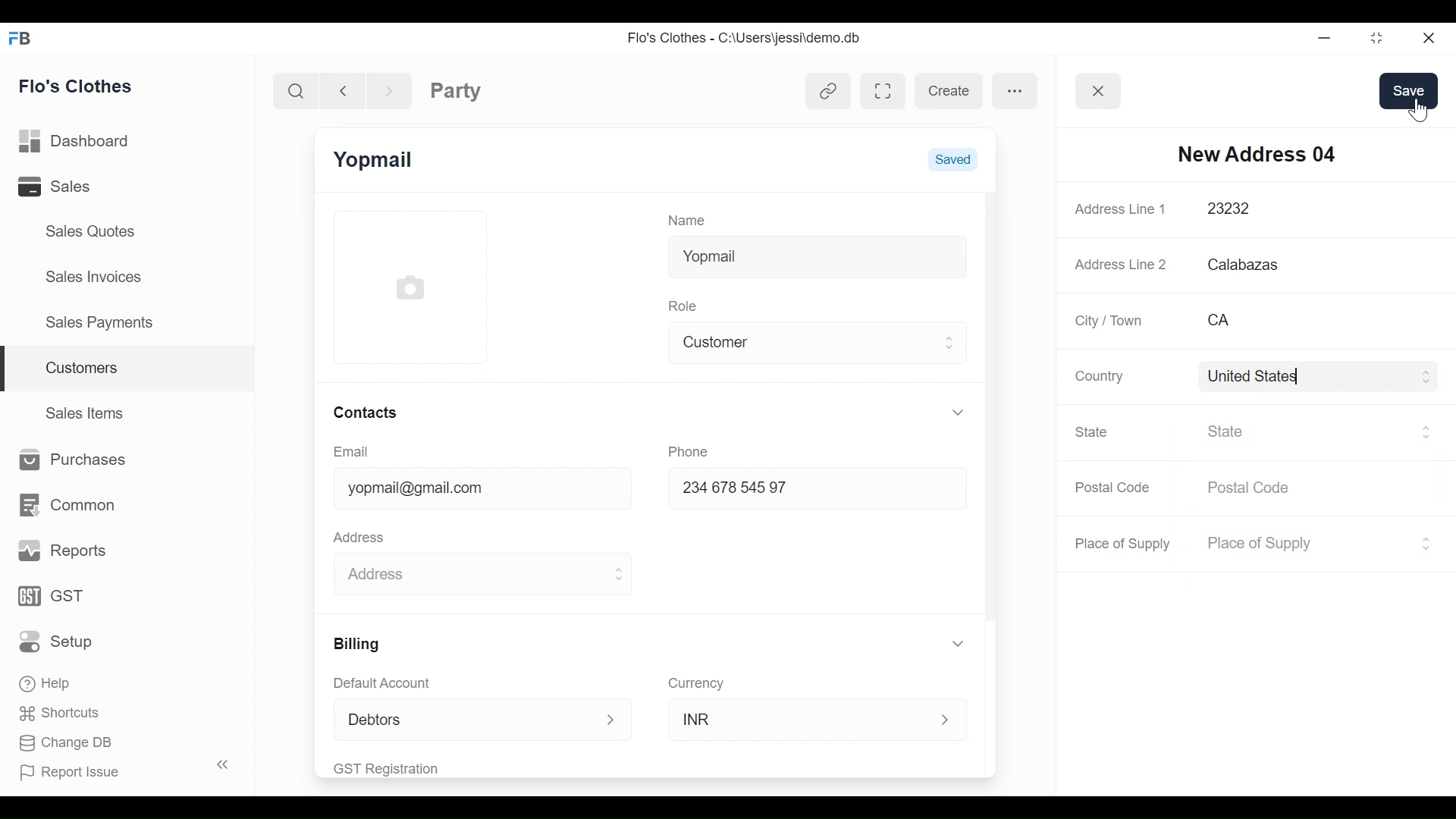 The height and width of the screenshot is (819, 1456). I want to click on Sales Items, so click(86, 411).